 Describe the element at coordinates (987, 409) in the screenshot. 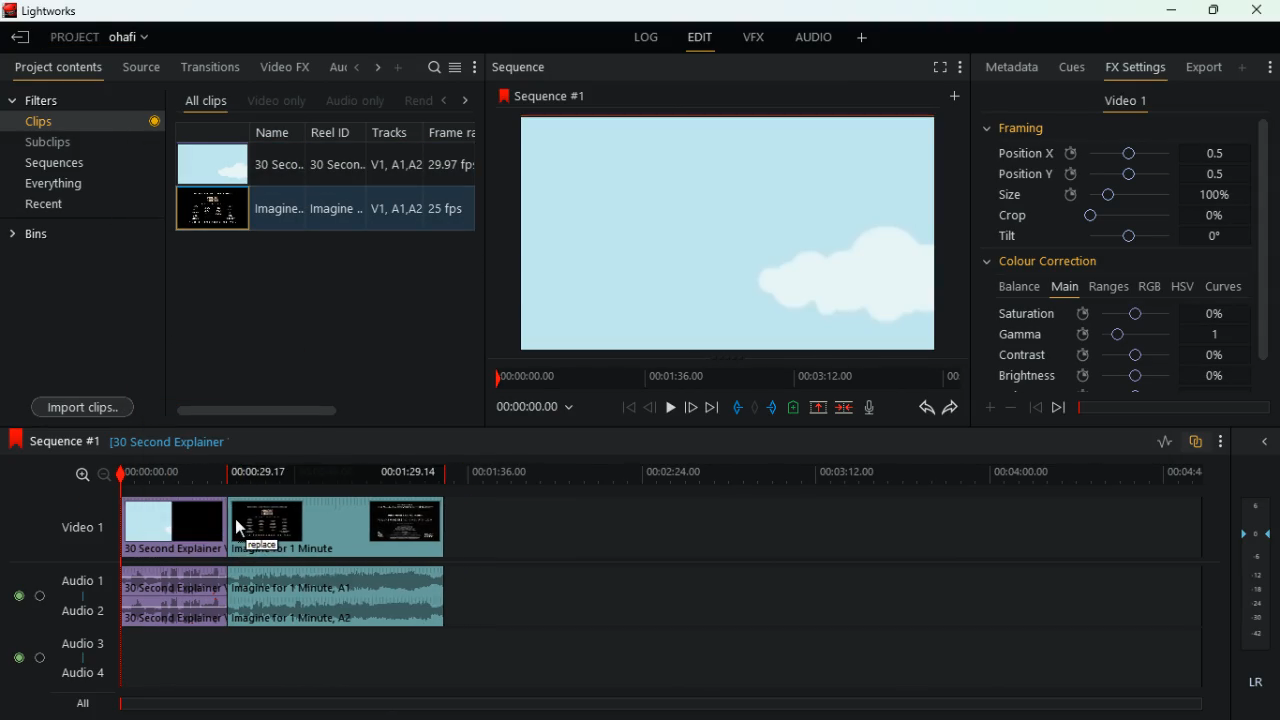

I see `plus` at that location.